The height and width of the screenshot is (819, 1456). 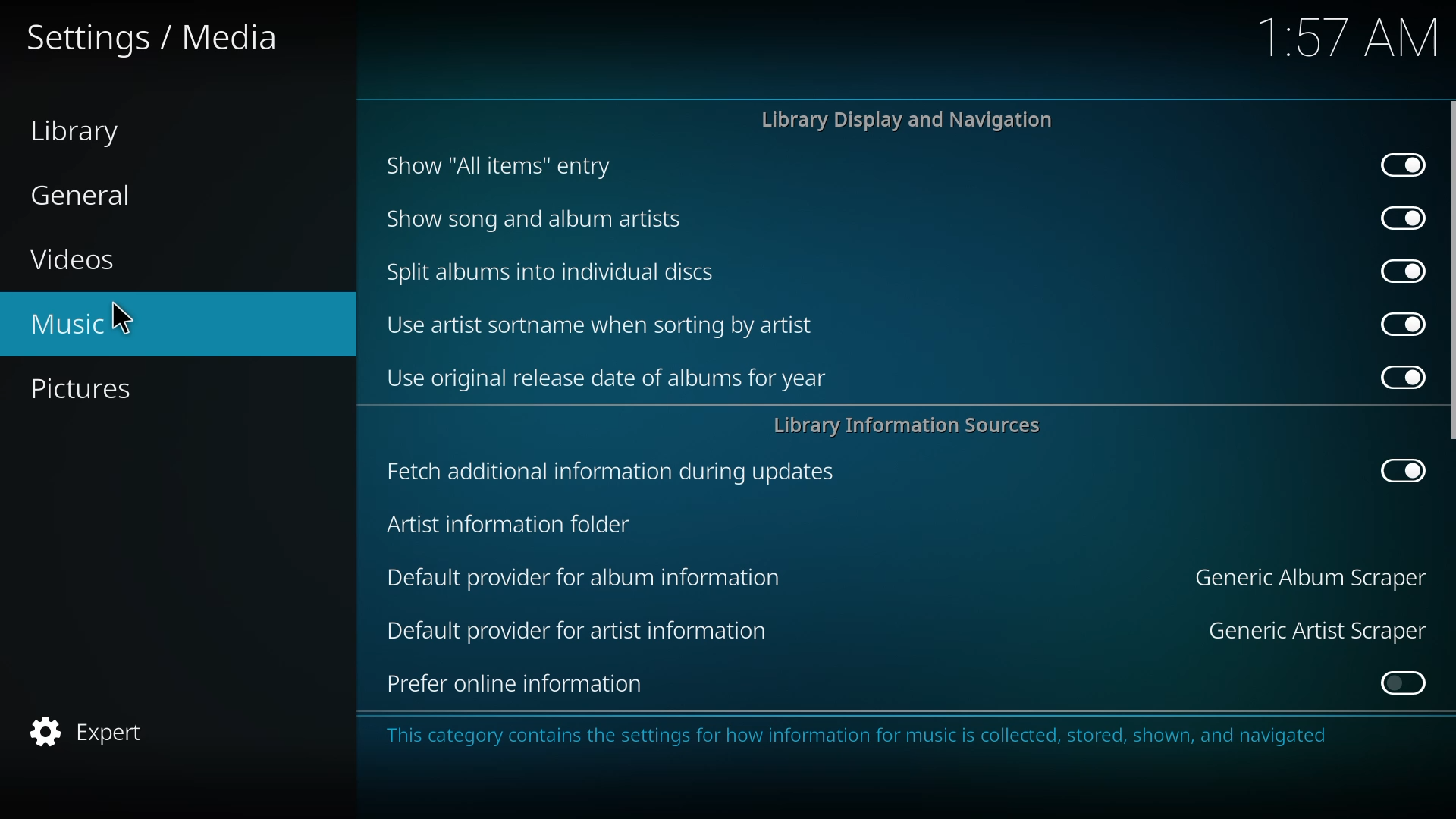 I want to click on enabled, so click(x=1392, y=472).